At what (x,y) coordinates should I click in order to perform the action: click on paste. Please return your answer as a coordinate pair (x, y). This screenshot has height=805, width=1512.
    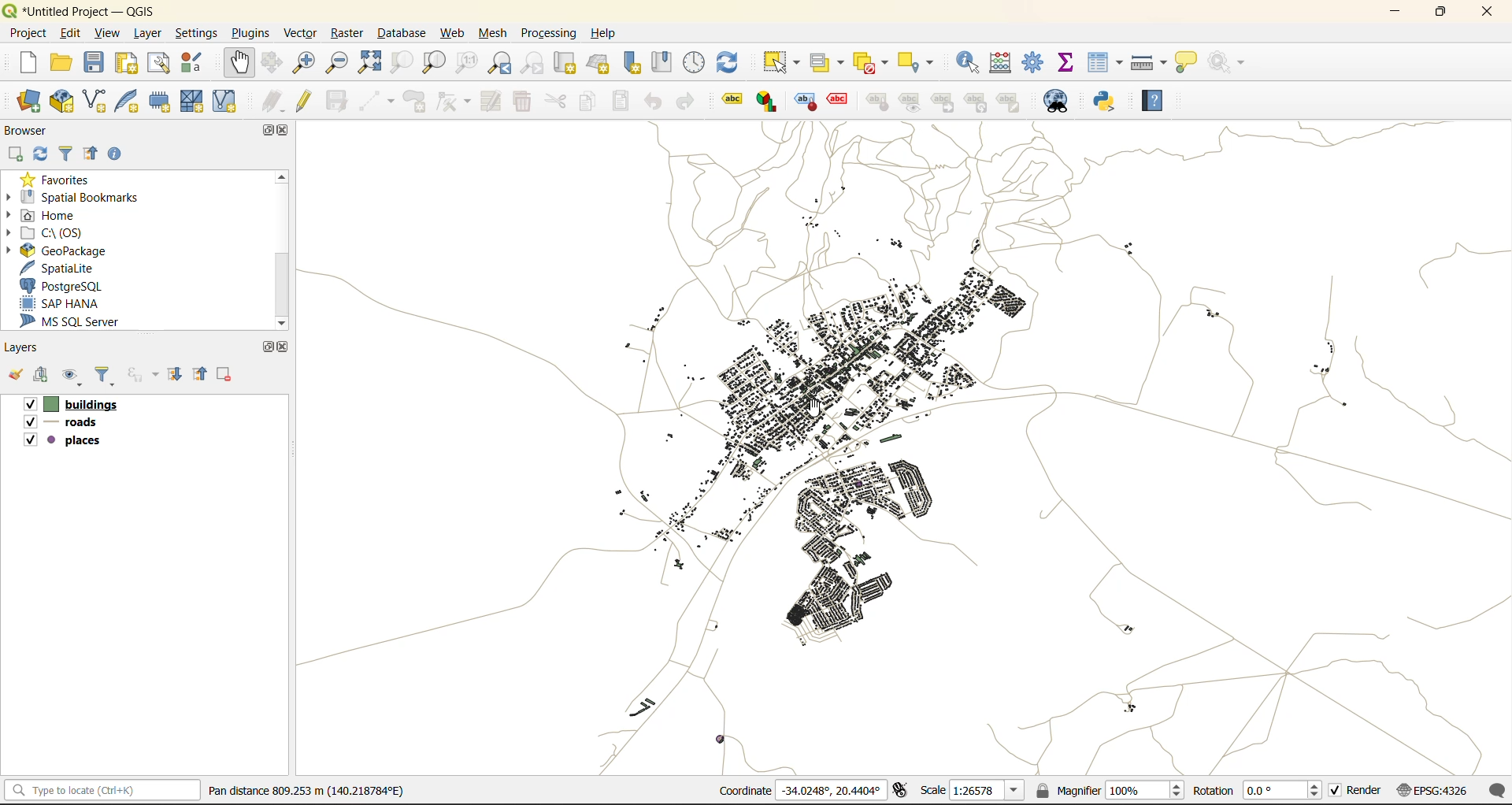
    Looking at the image, I should click on (623, 100).